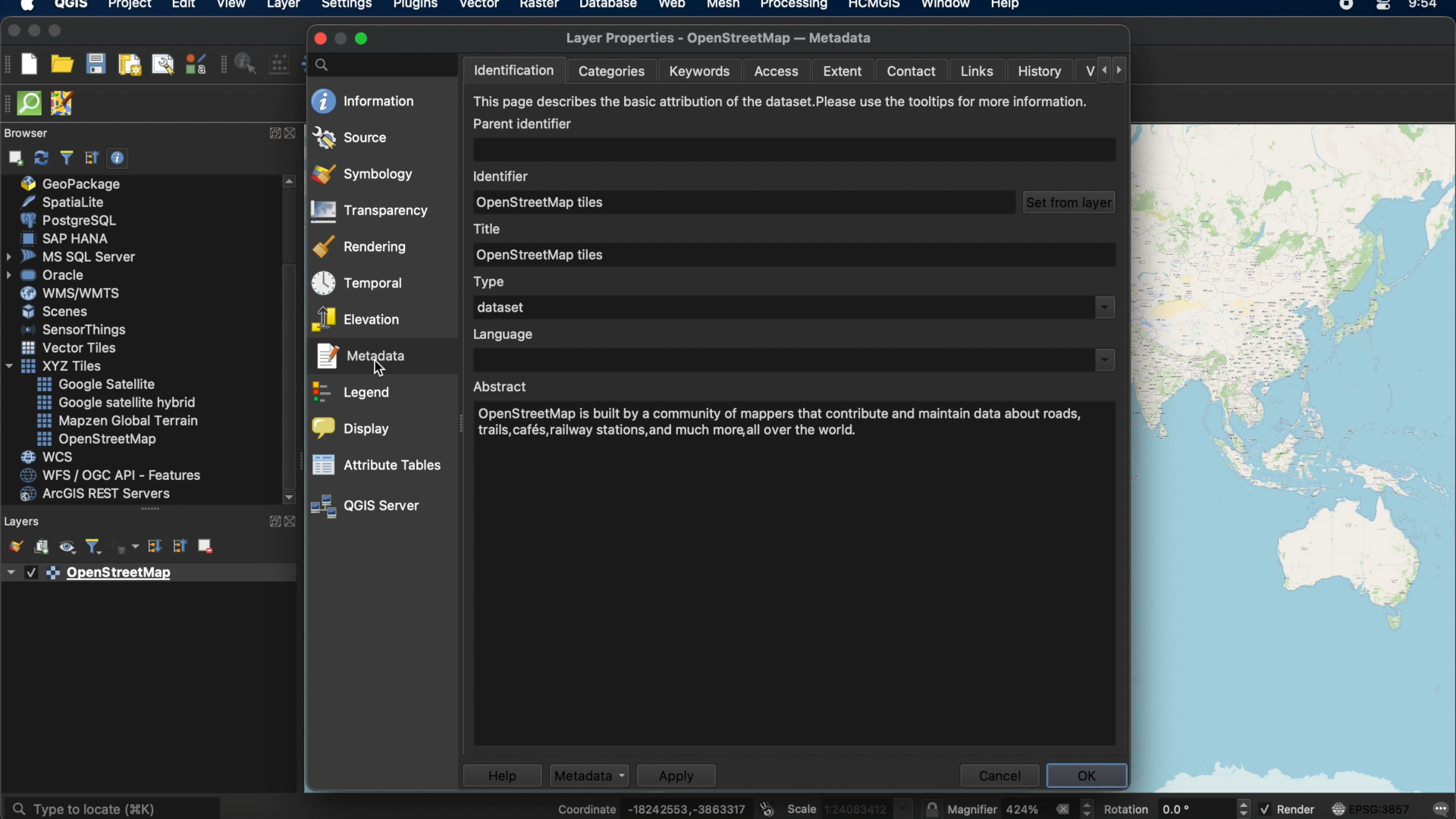  Describe the element at coordinates (74, 184) in the screenshot. I see `geo package` at that location.